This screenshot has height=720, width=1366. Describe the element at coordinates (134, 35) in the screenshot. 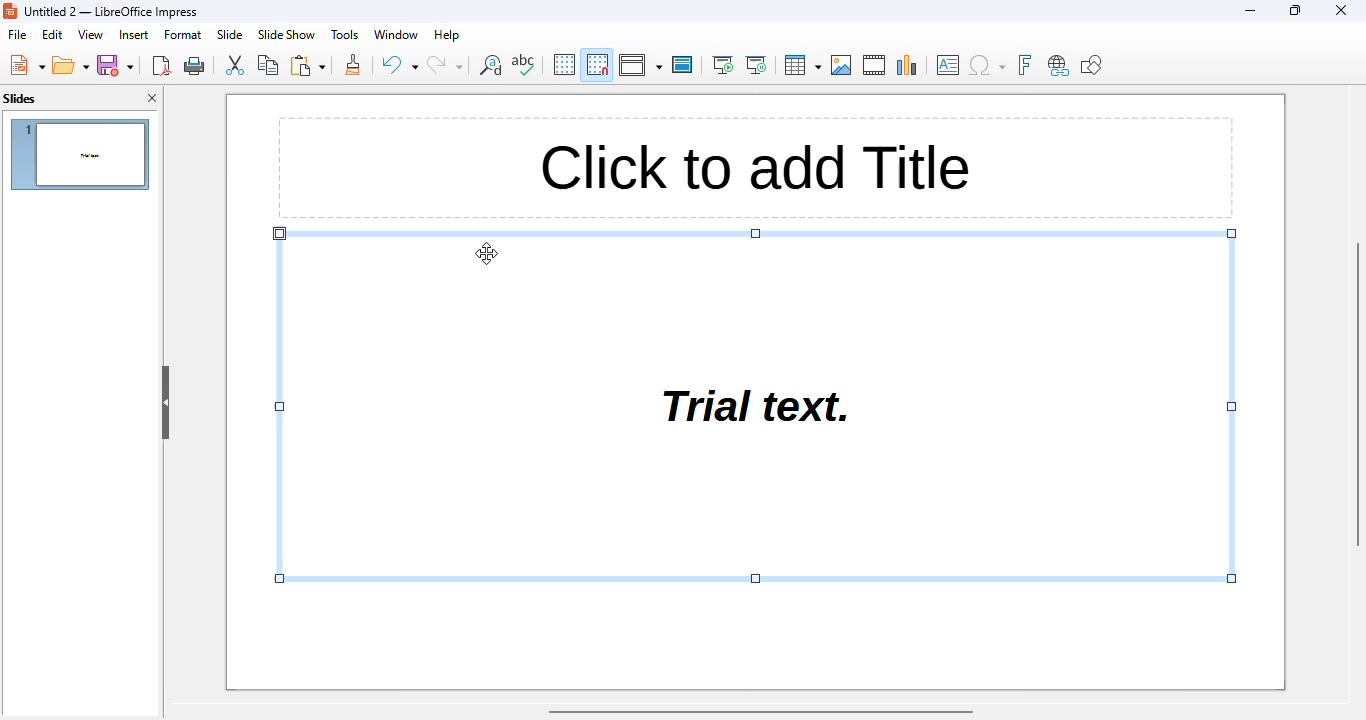

I see `insert` at that location.